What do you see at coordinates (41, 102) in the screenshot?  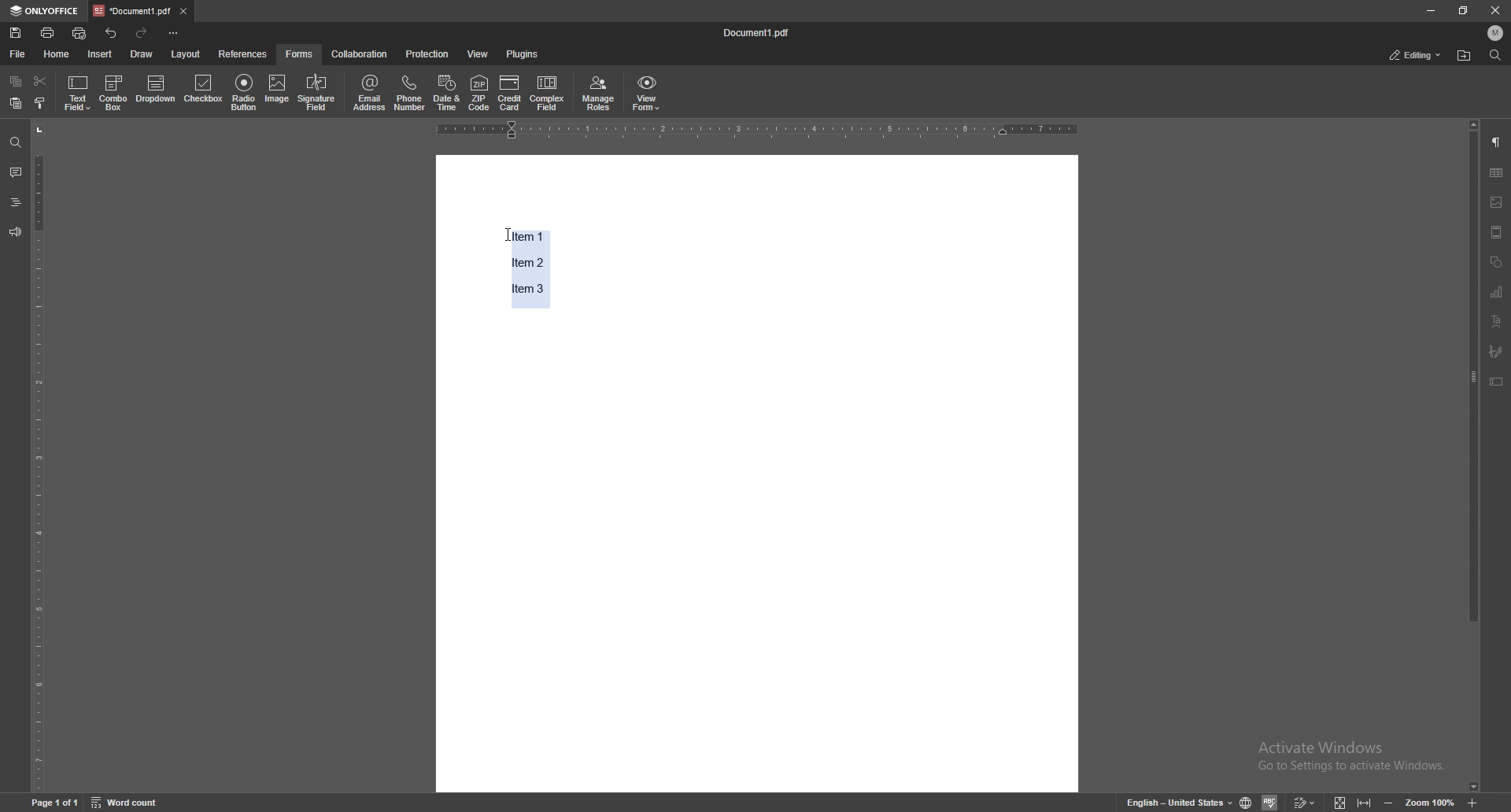 I see `copy style` at bounding box center [41, 102].